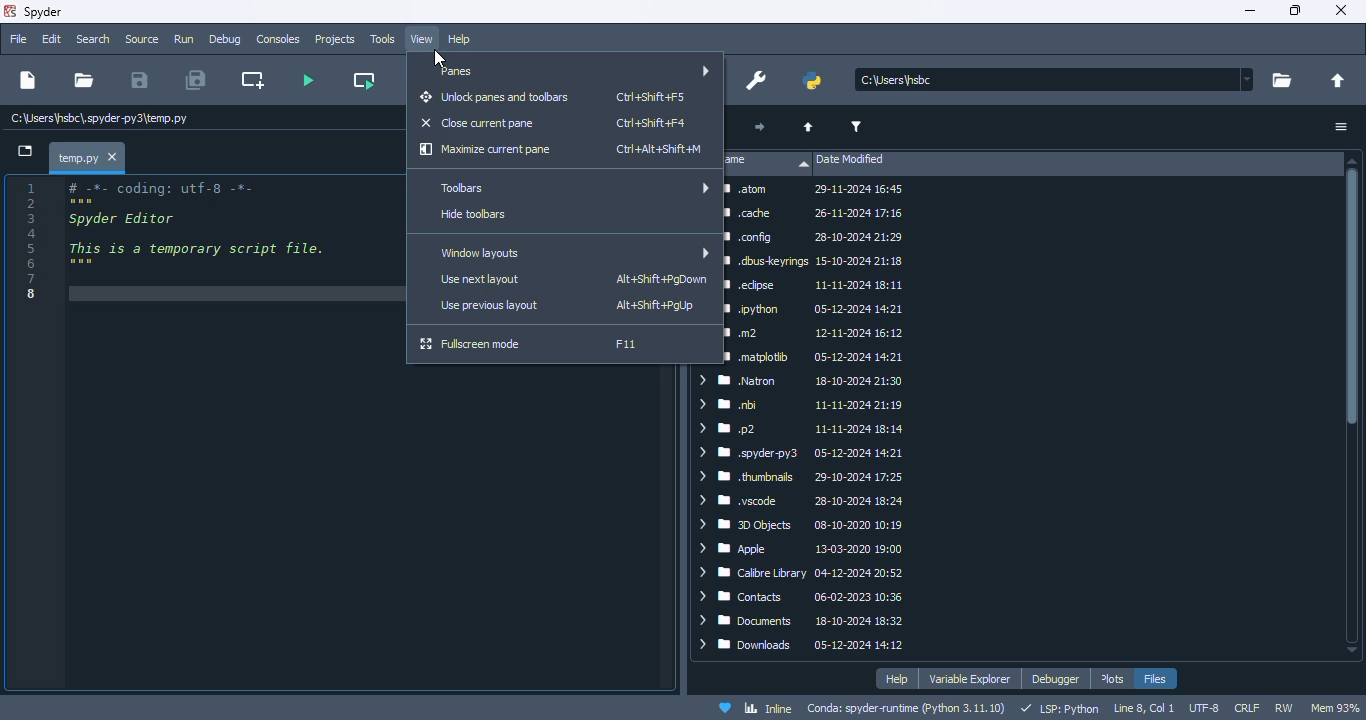 The width and height of the screenshot is (1366, 720). I want to click on temporary file, so click(75, 156).